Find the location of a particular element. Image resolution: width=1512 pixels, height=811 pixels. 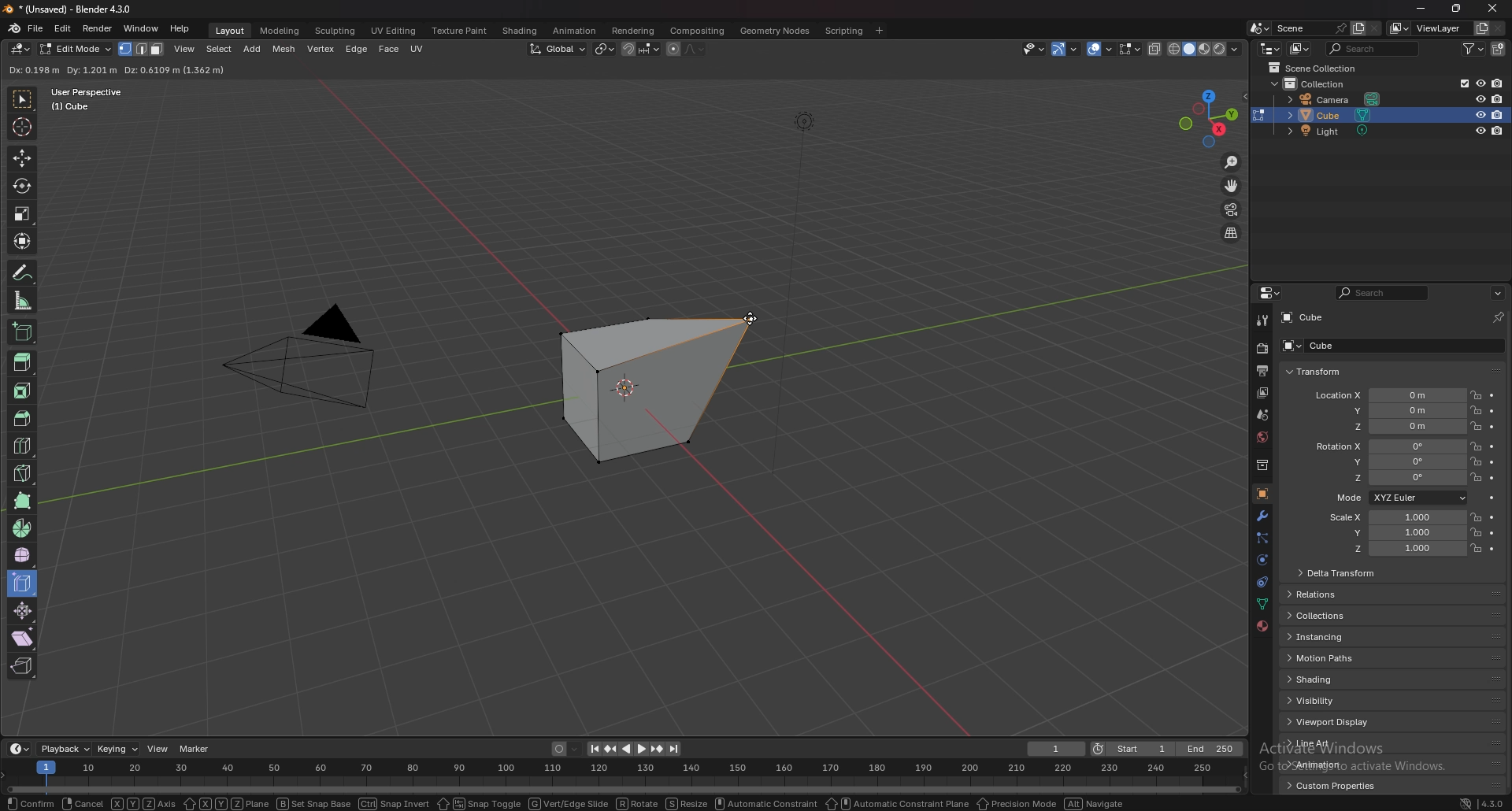

add is located at coordinates (254, 49).